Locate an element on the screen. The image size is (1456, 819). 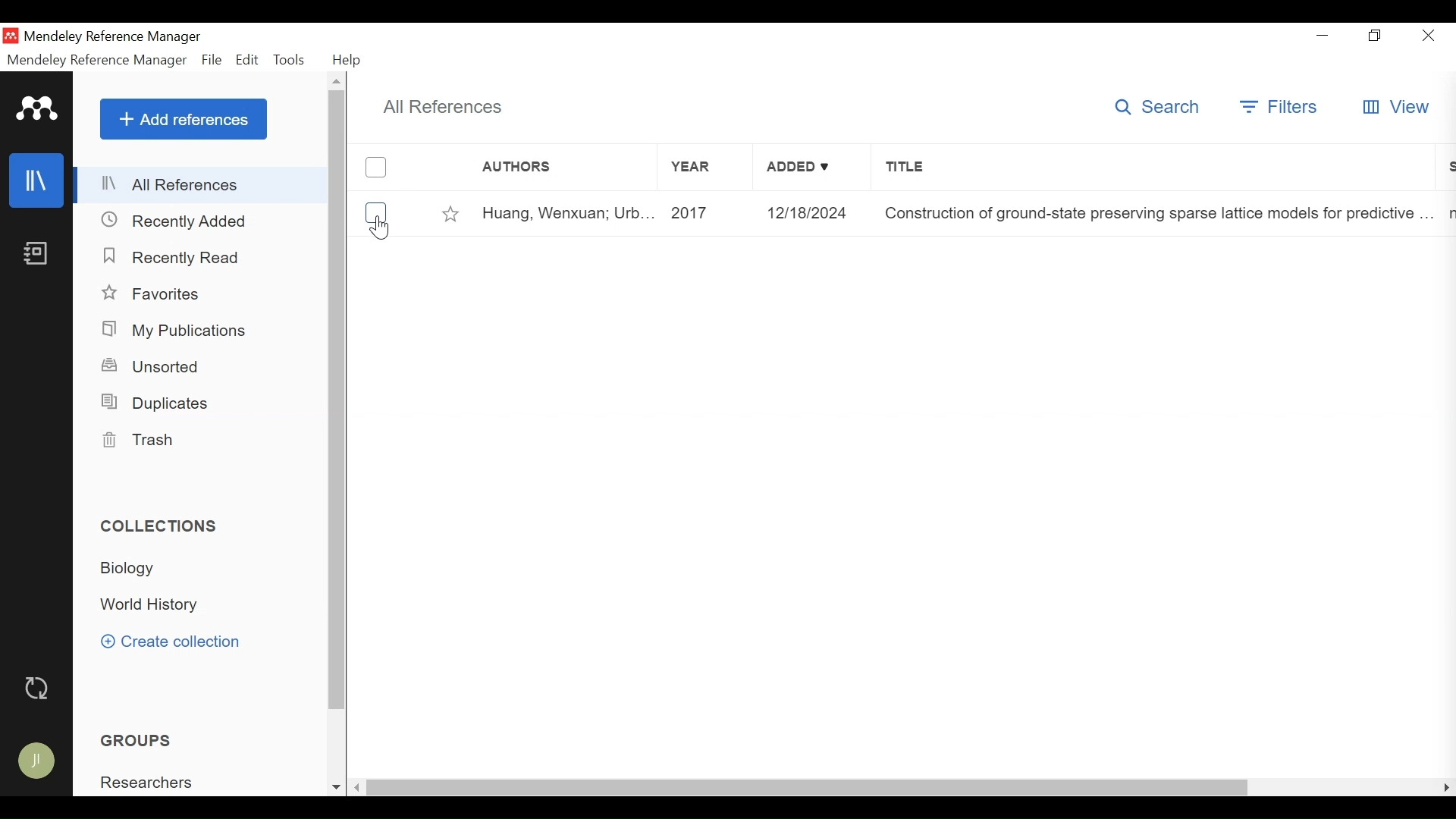
Scroll down is located at coordinates (336, 787).